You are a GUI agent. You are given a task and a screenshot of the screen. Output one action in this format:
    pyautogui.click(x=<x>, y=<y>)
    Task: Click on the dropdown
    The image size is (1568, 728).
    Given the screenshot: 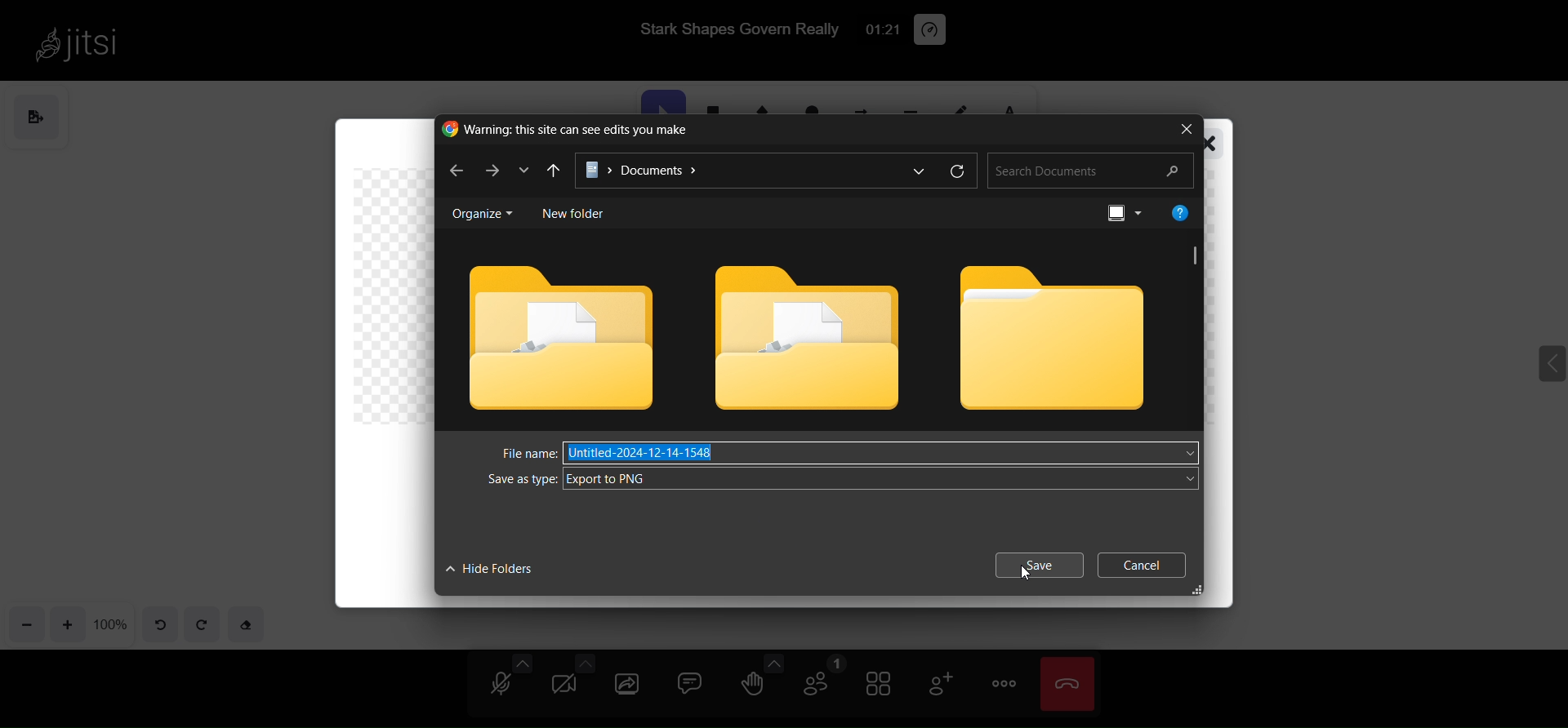 What is the action you would take?
    pyautogui.click(x=1189, y=453)
    